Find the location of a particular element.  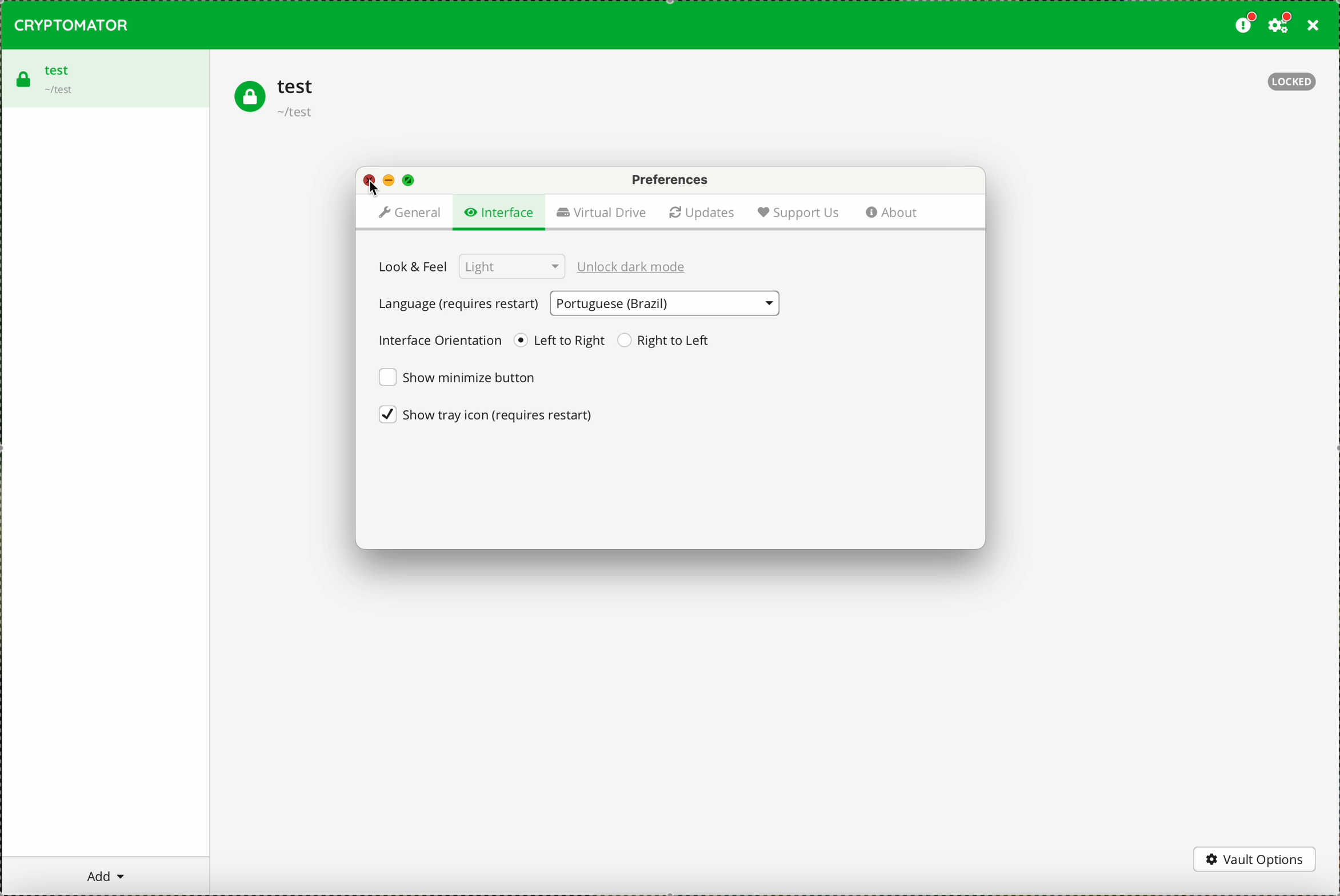

show minimize button is located at coordinates (458, 378).